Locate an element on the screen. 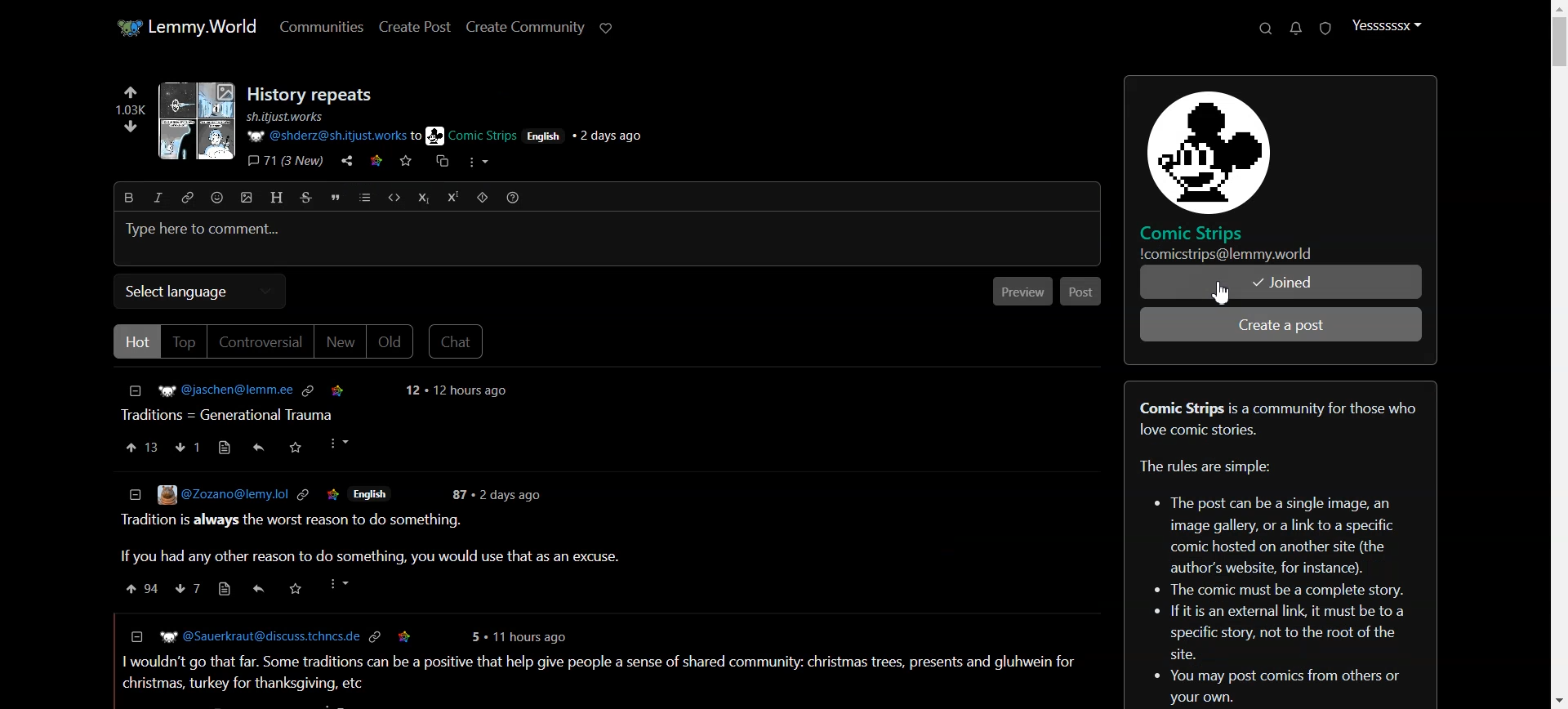 This screenshot has width=1568, height=709. New is located at coordinates (340, 343).